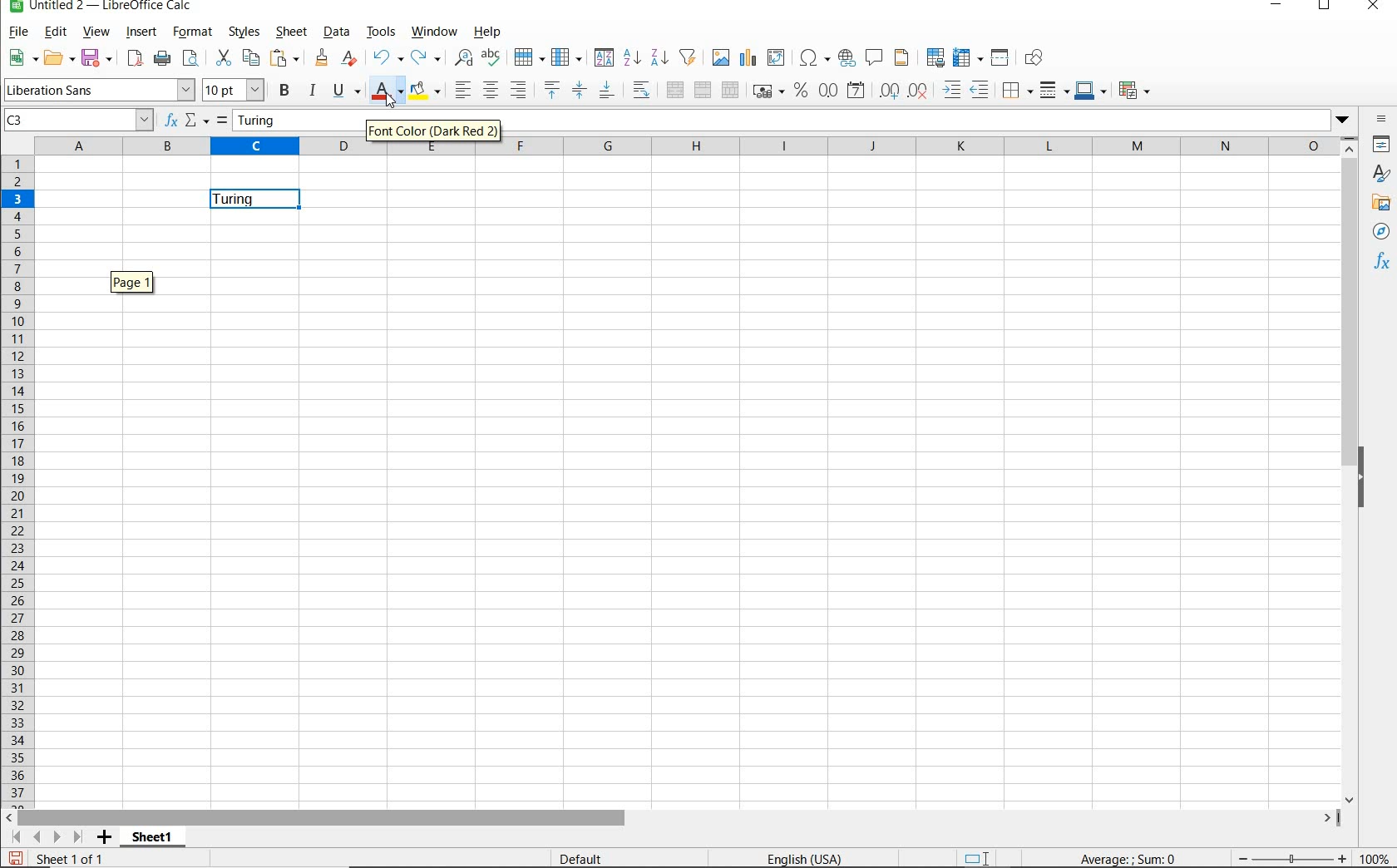 Image resolution: width=1397 pixels, height=868 pixels. I want to click on UNMERGE CELLS, so click(731, 89).